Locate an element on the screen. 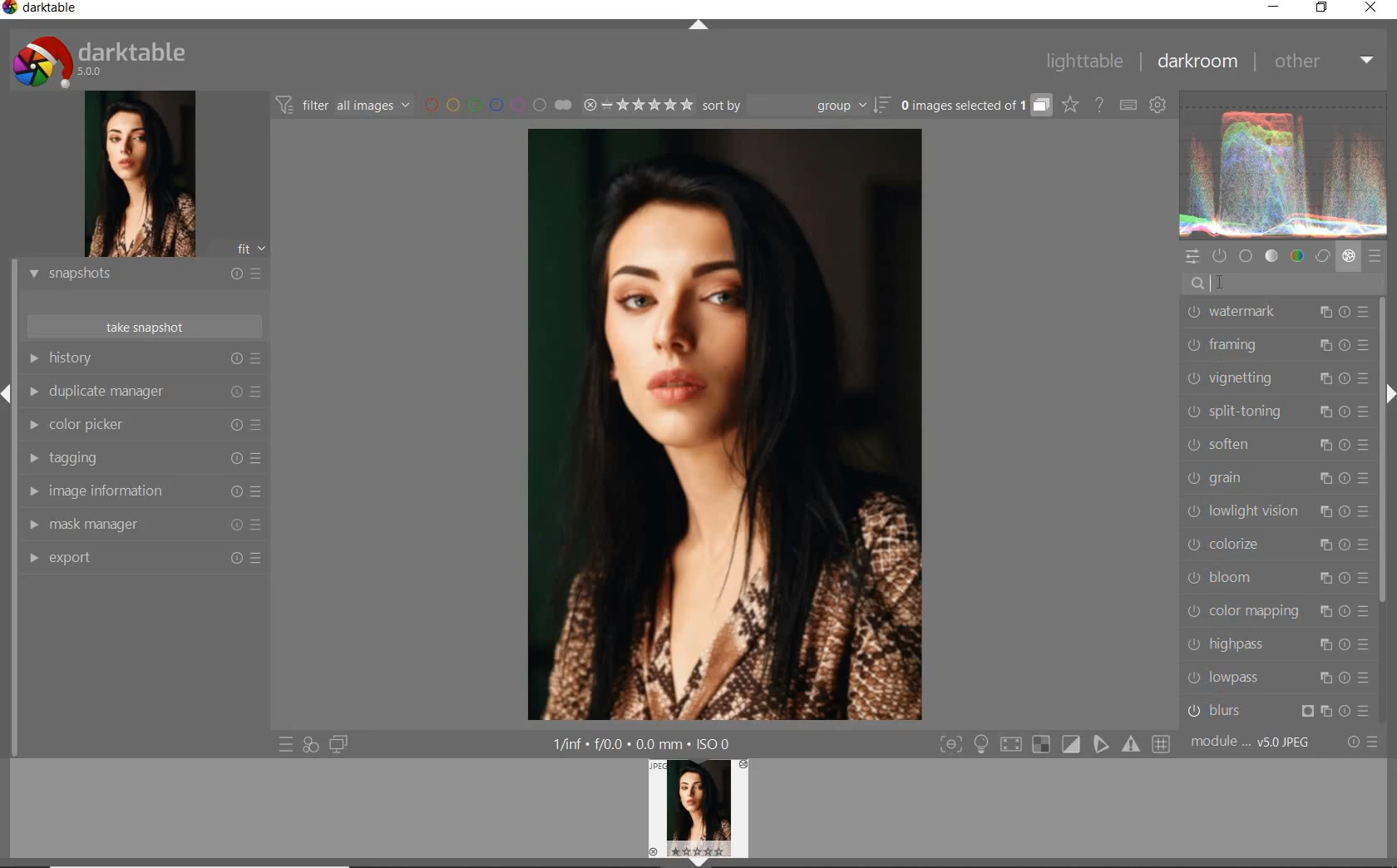  correct is located at coordinates (1323, 257).